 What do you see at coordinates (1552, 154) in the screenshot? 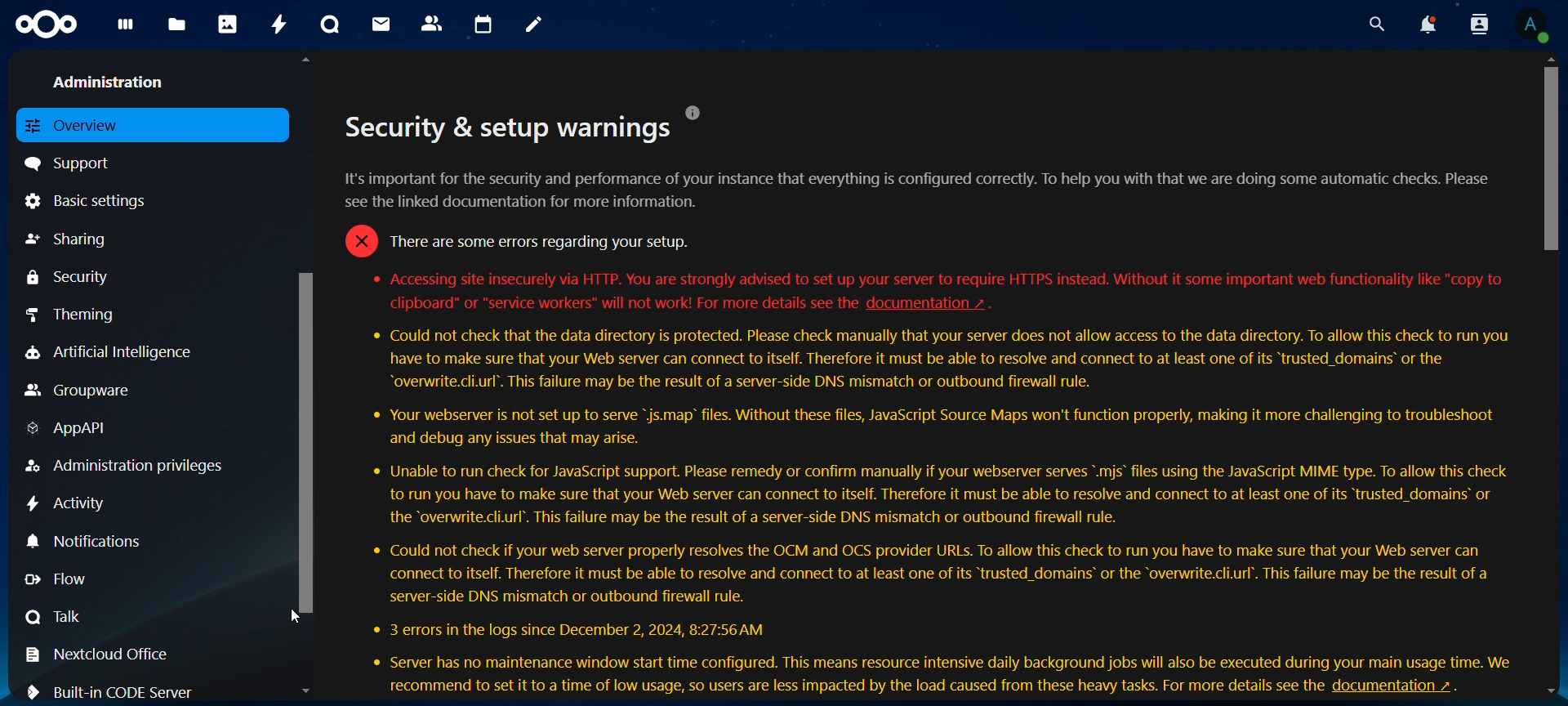
I see `scrollbar` at bounding box center [1552, 154].